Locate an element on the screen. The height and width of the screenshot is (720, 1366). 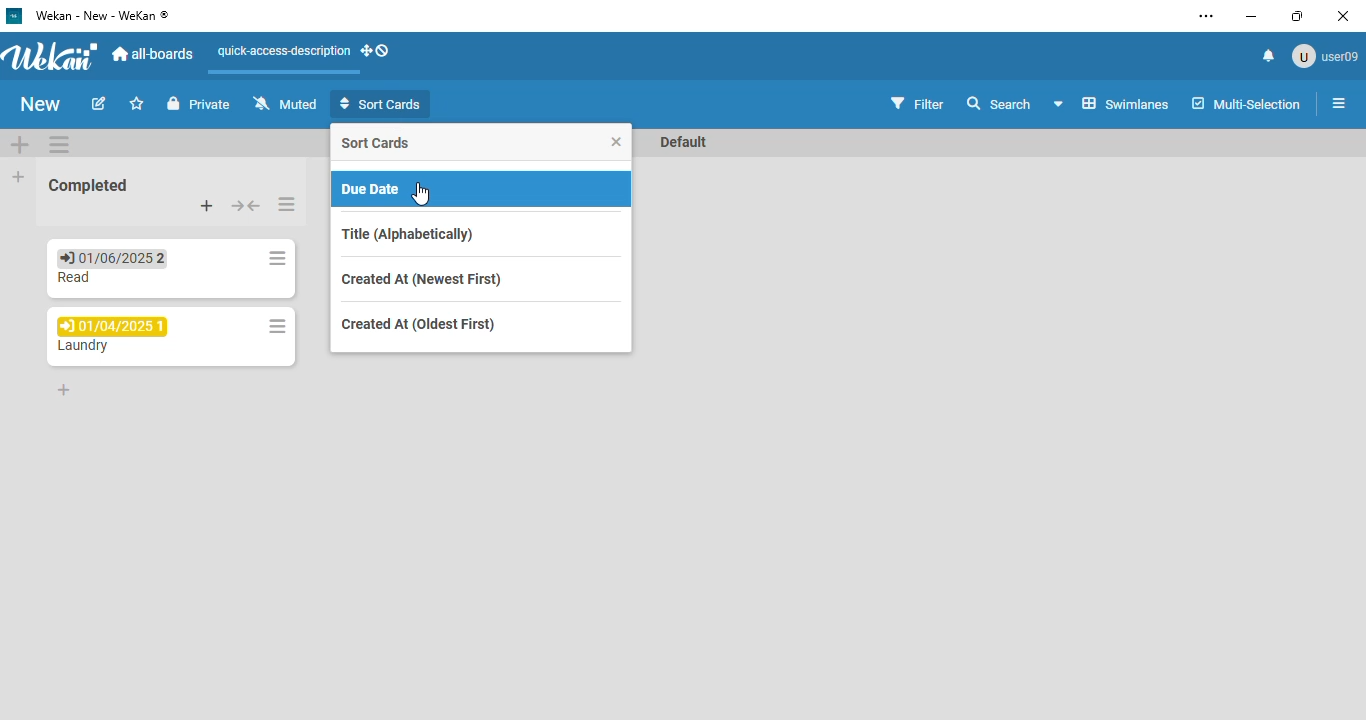
click to star this board is located at coordinates (137, 103).